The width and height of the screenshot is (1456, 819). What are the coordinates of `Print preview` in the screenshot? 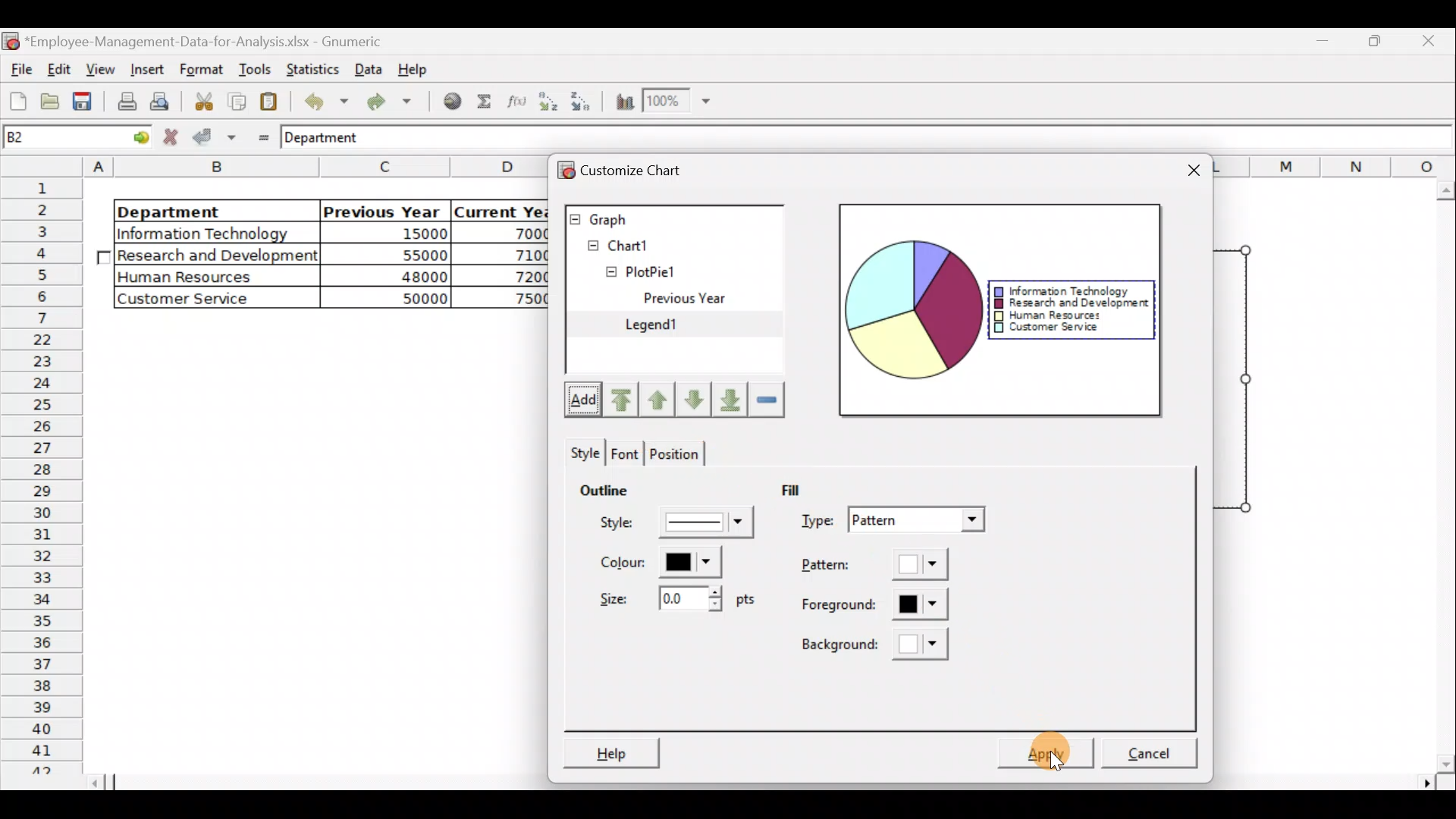 It's located at (163, 101).